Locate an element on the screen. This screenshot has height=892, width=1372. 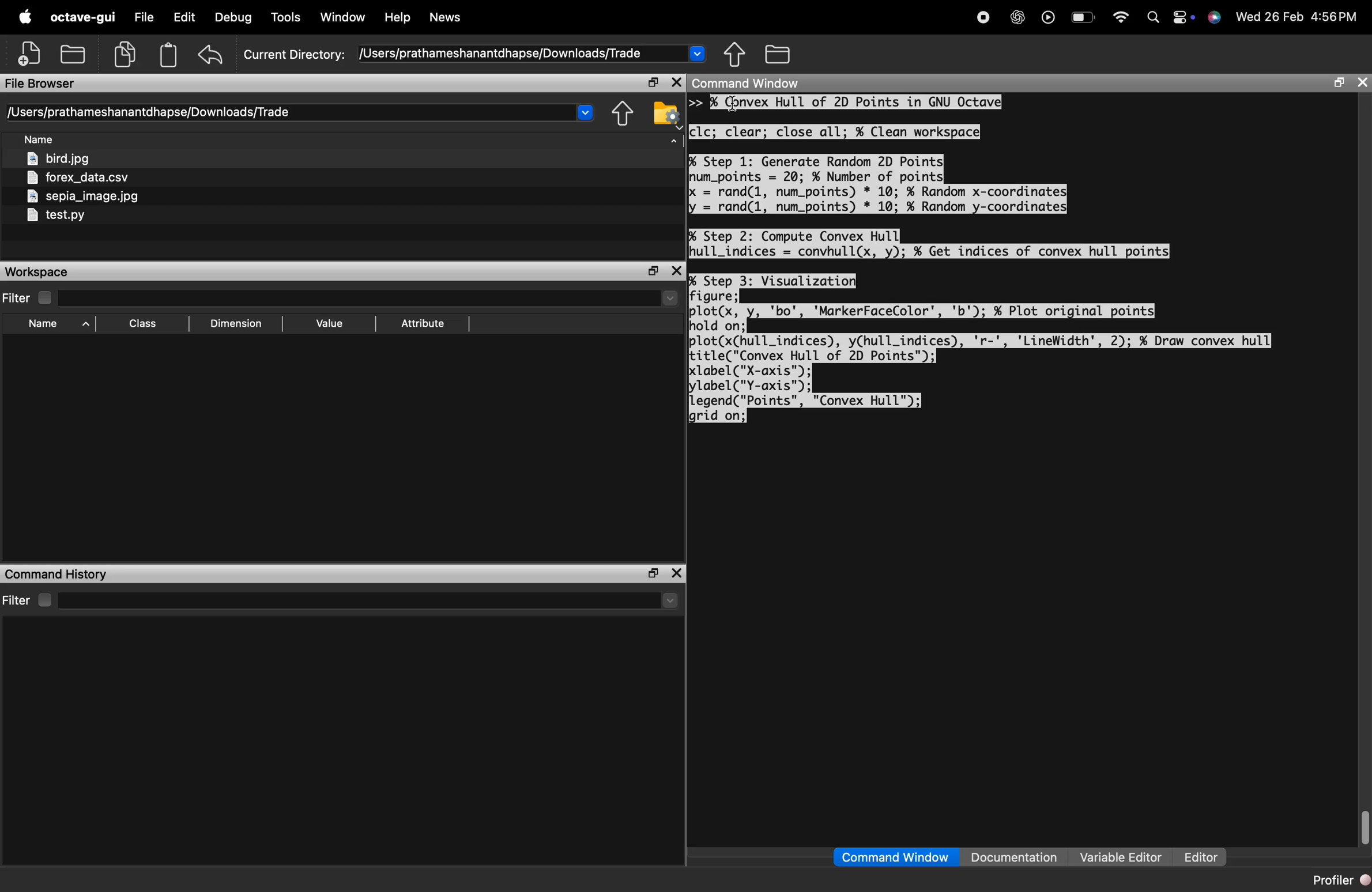
drop-down  is located at coordinates (669, 600).